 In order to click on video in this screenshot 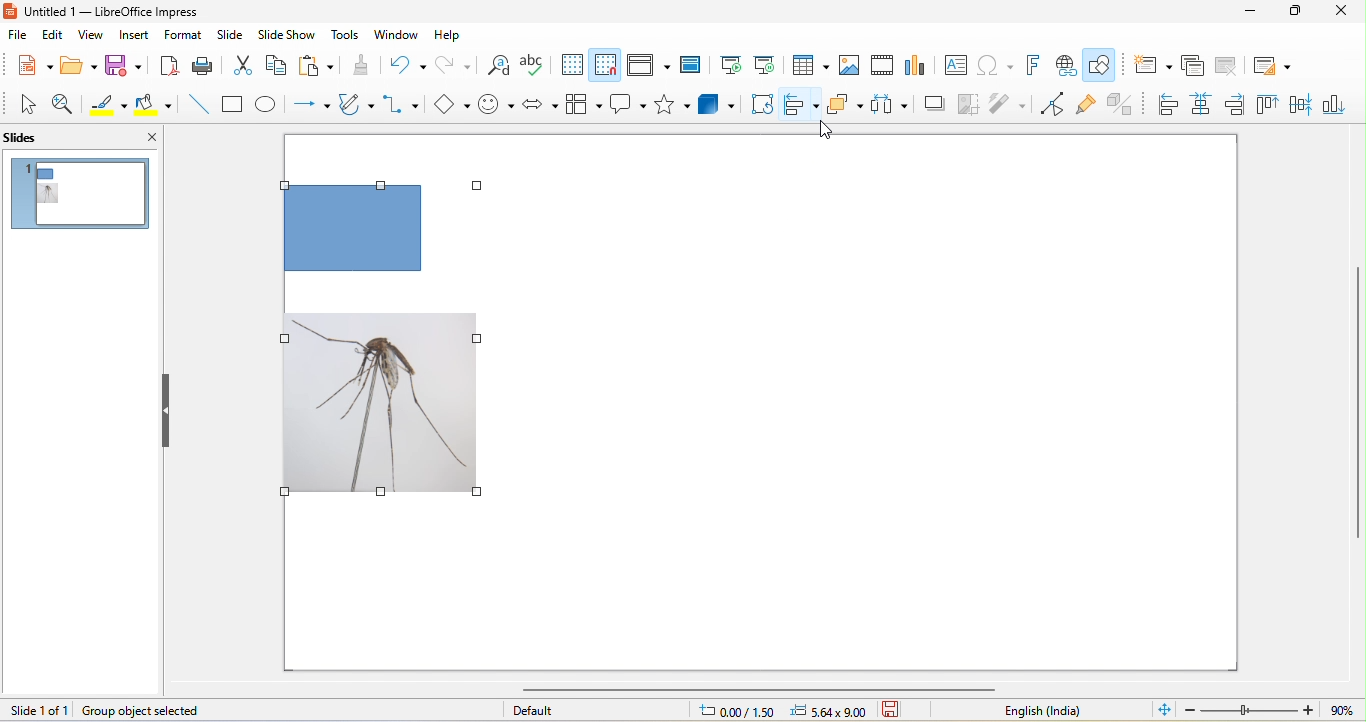, I will do `click(883, 68)`.